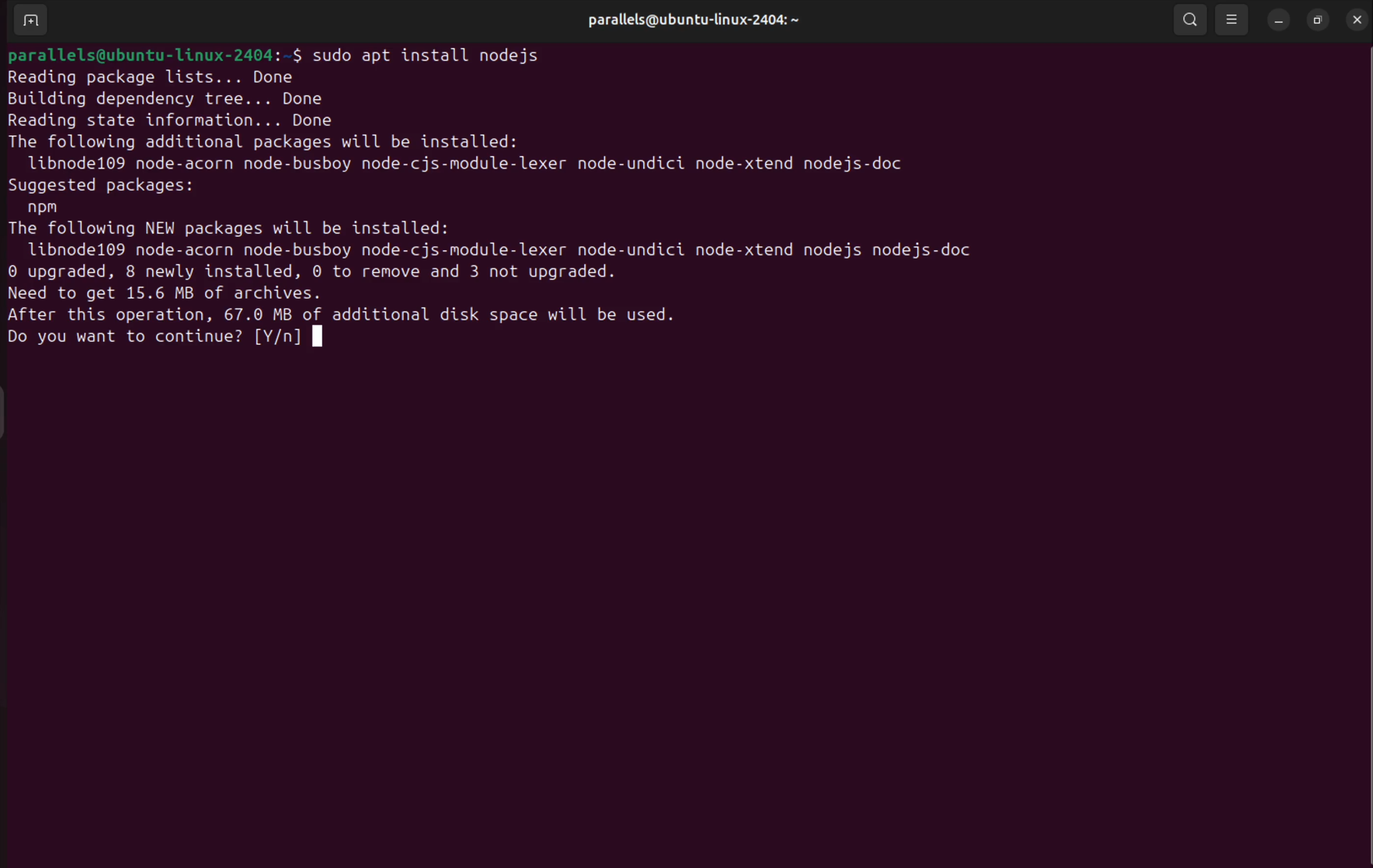  What do you see at coordinates (123, 340) in the screenshot?
I see `Do you want to continue?` at bounding box center [123, 340].